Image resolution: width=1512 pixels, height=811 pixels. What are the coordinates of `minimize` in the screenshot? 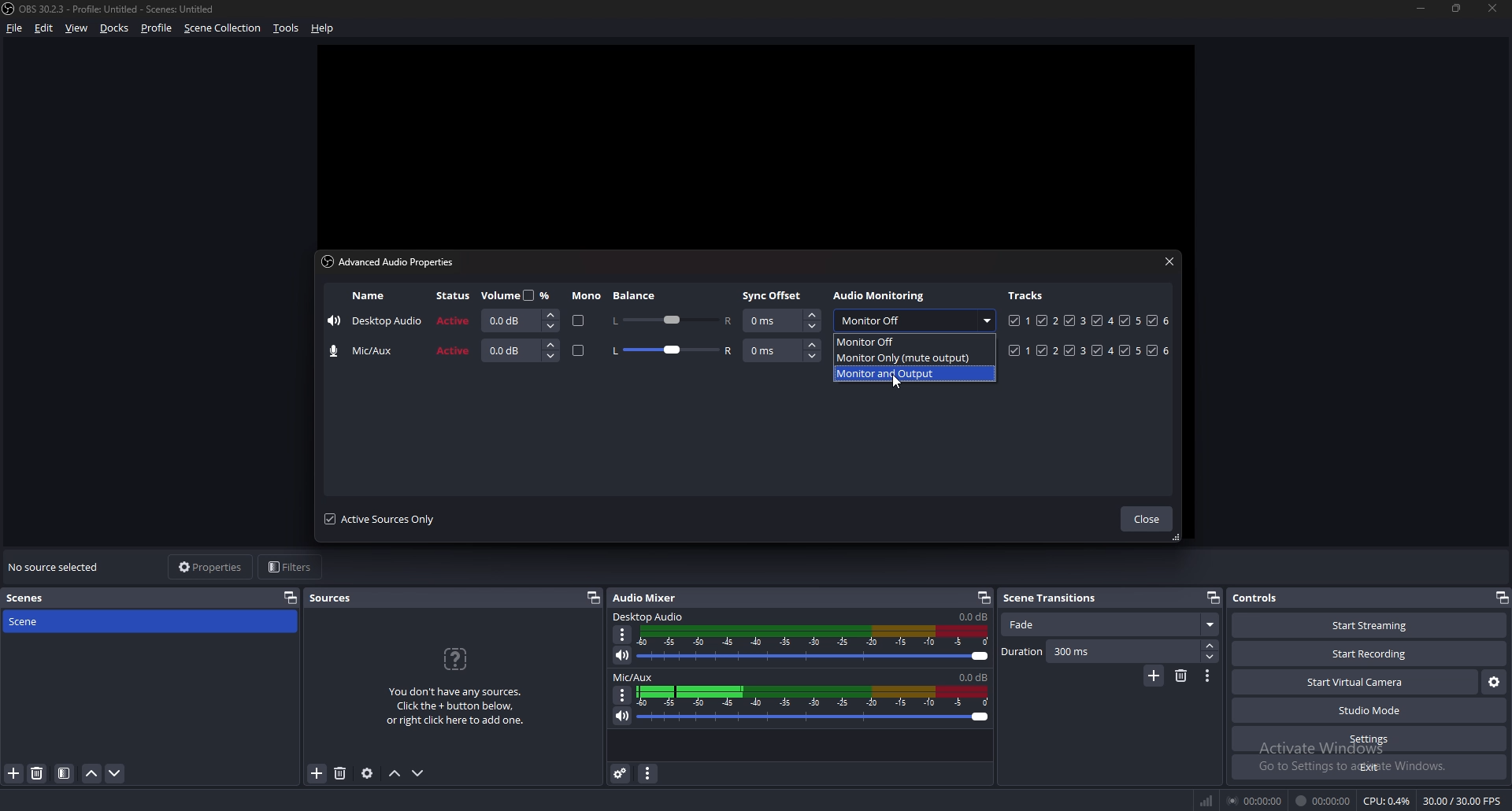 It's located at (1421, 9).